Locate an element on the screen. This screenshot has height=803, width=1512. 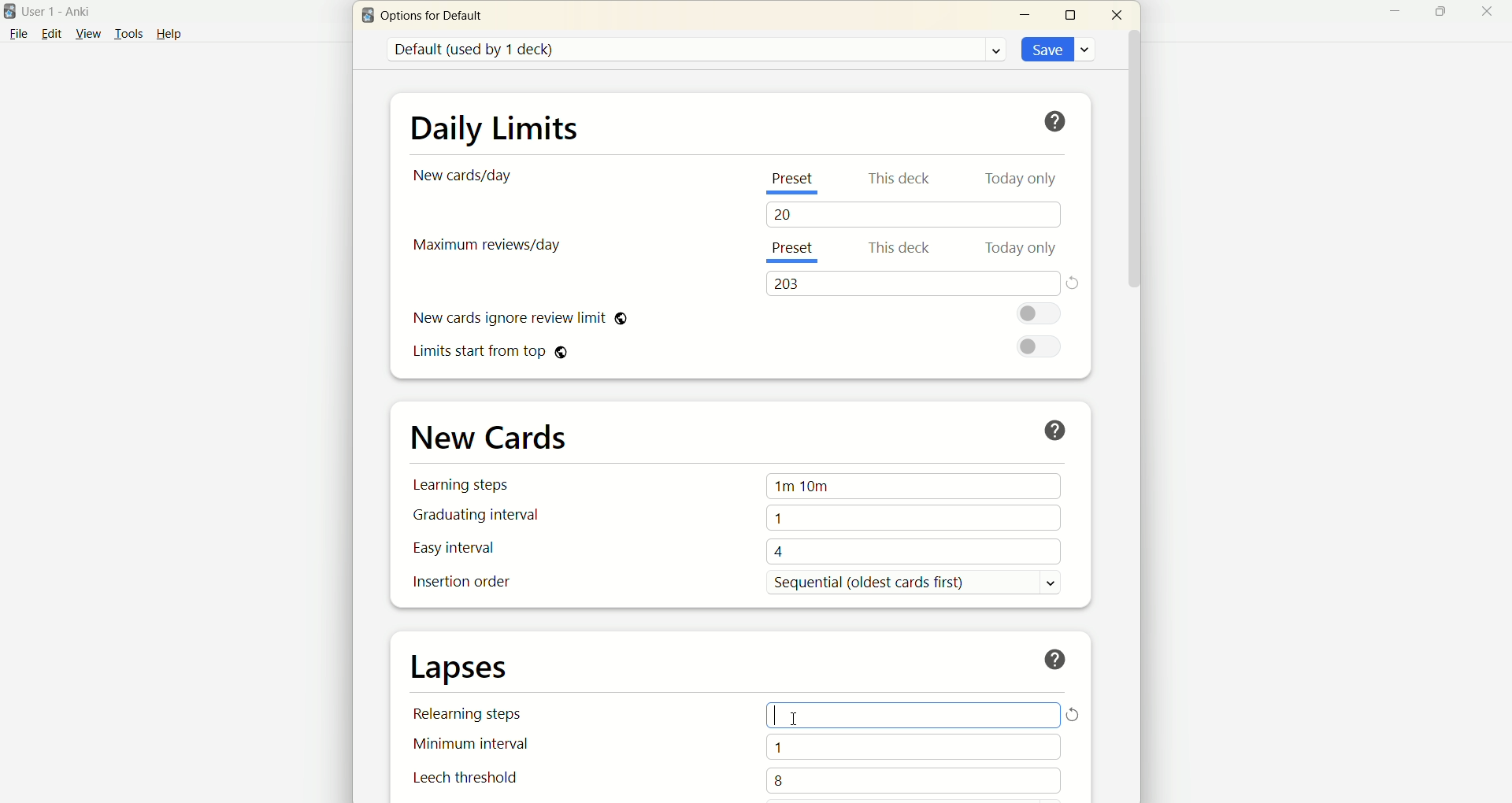
easy interval is located at coordinates (454, 548).